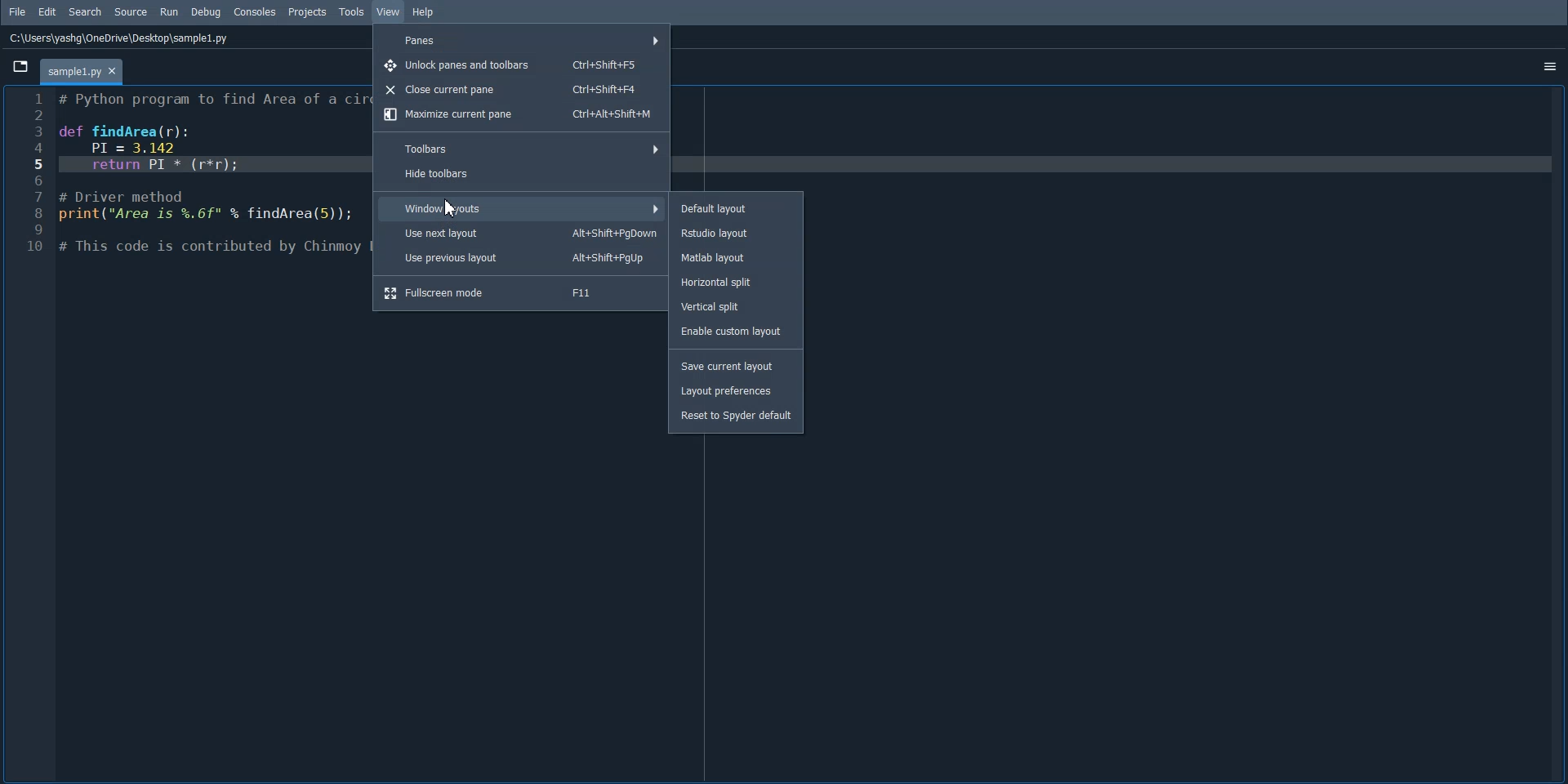 Image resolution: width=1568 pixels, height=784 pixels. I want to click on Close current panes, so click(519, 90).